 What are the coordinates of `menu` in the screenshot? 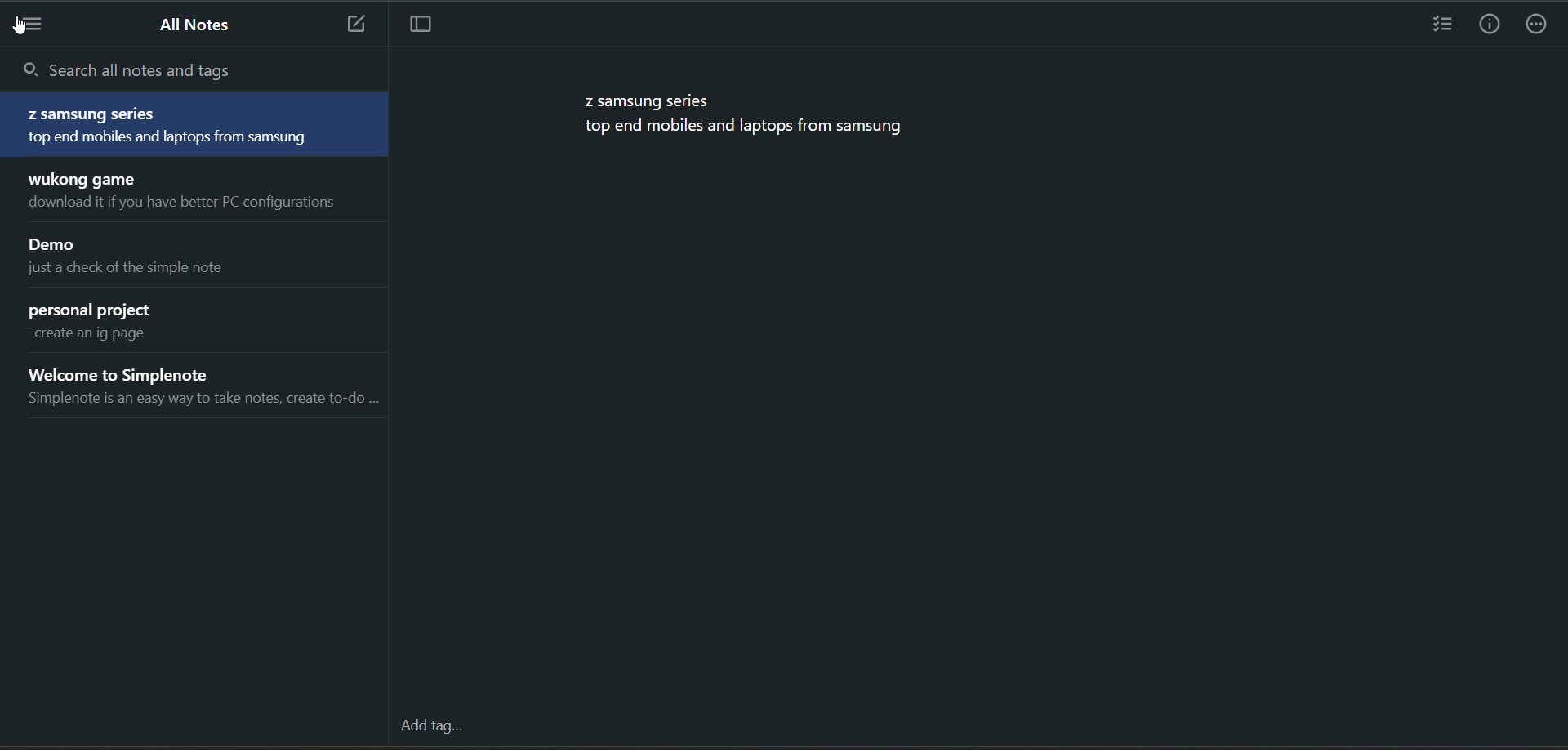 It's located at (34, 28).